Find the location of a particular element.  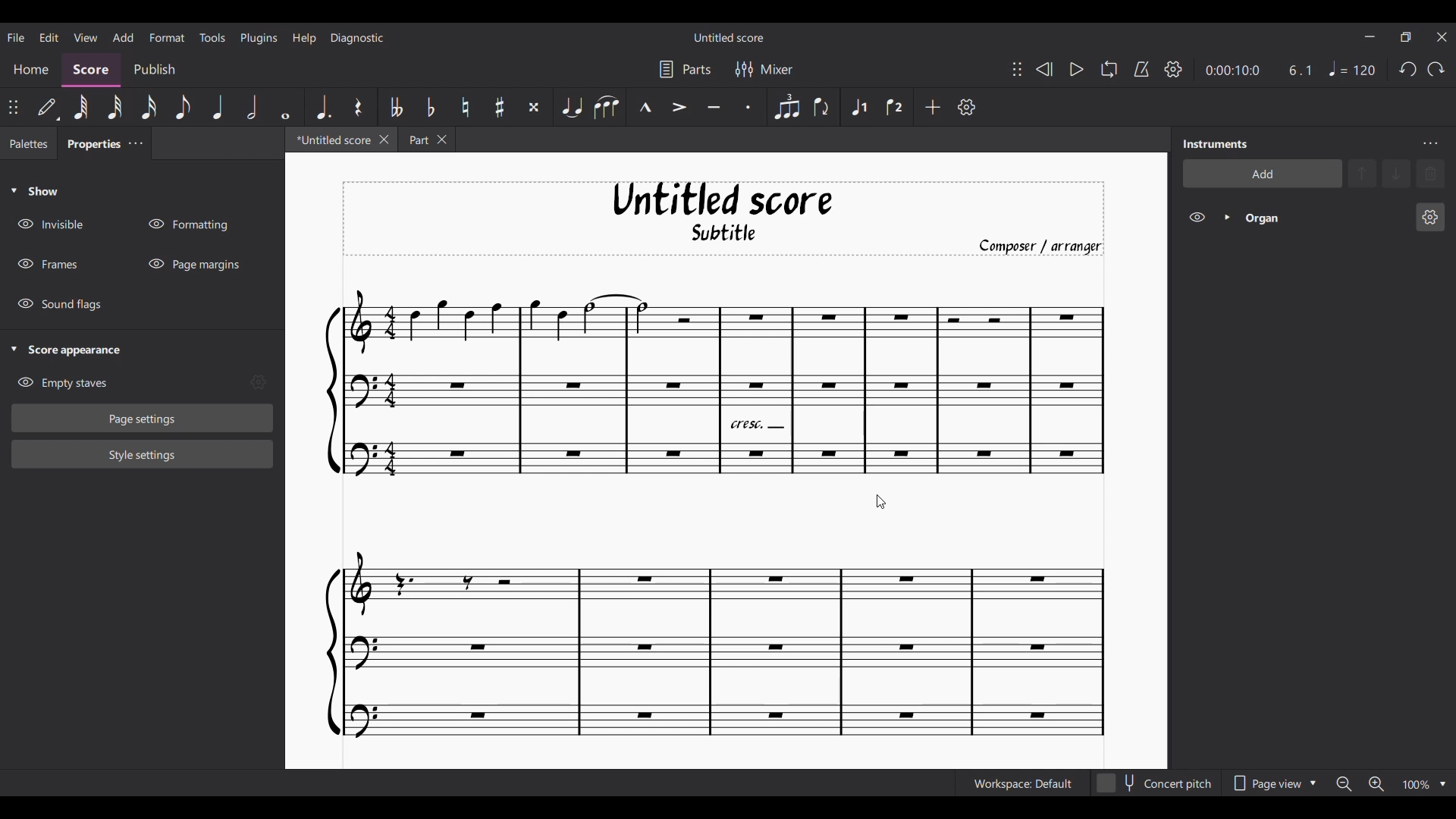

Parts settings is located at coordinates (684, 69).